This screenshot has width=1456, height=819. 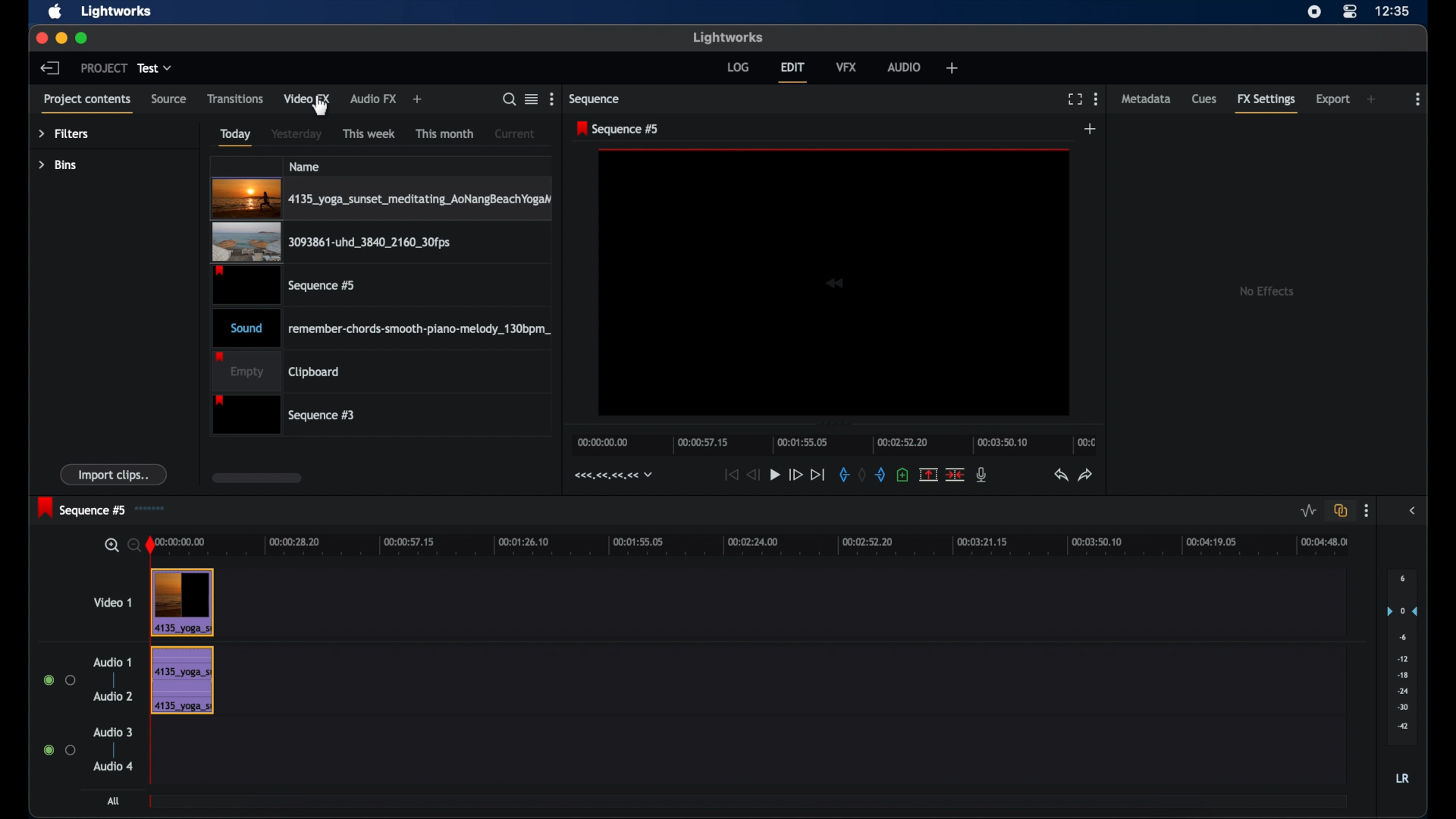 I want to click on search, so click(x=508, y=99).